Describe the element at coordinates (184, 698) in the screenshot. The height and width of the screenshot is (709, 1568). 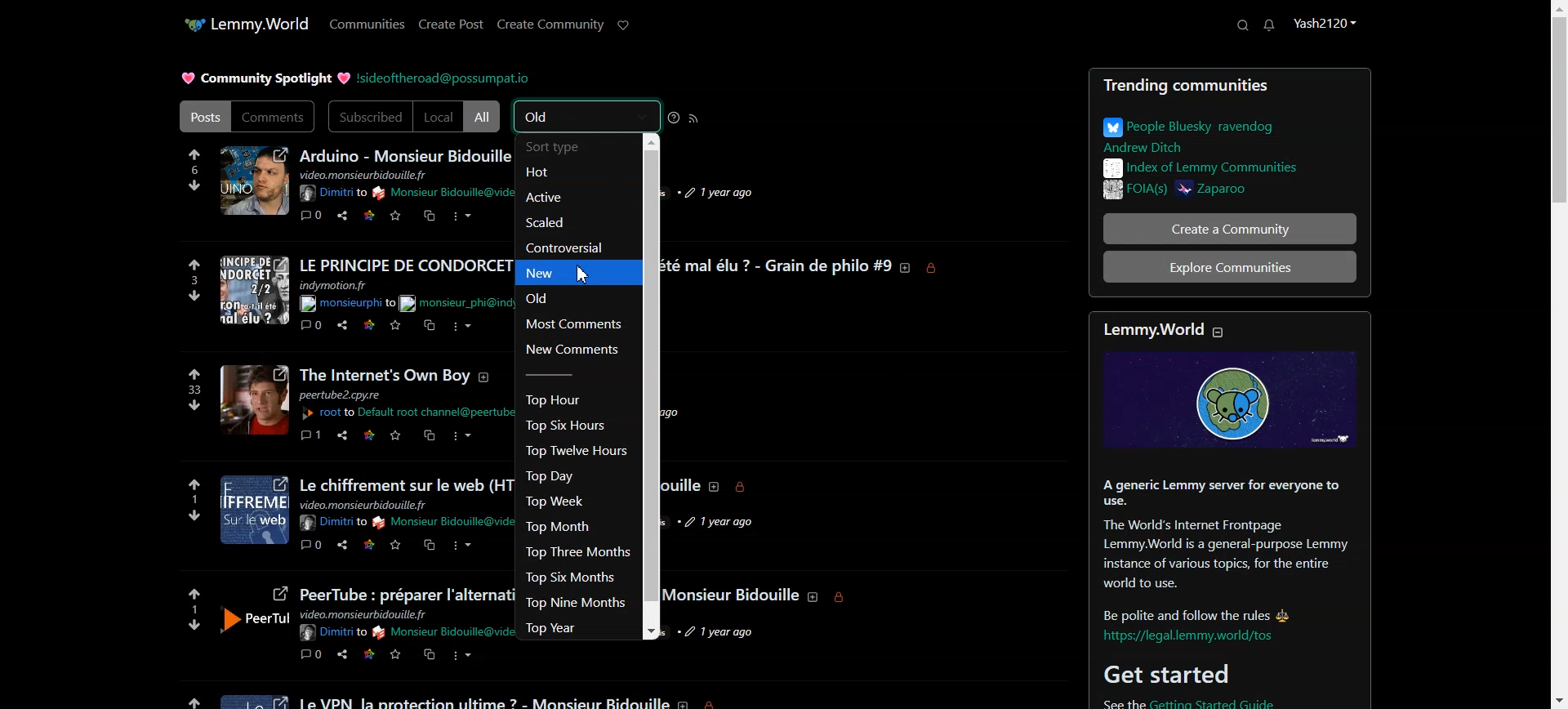
I see `upvote` at that location.